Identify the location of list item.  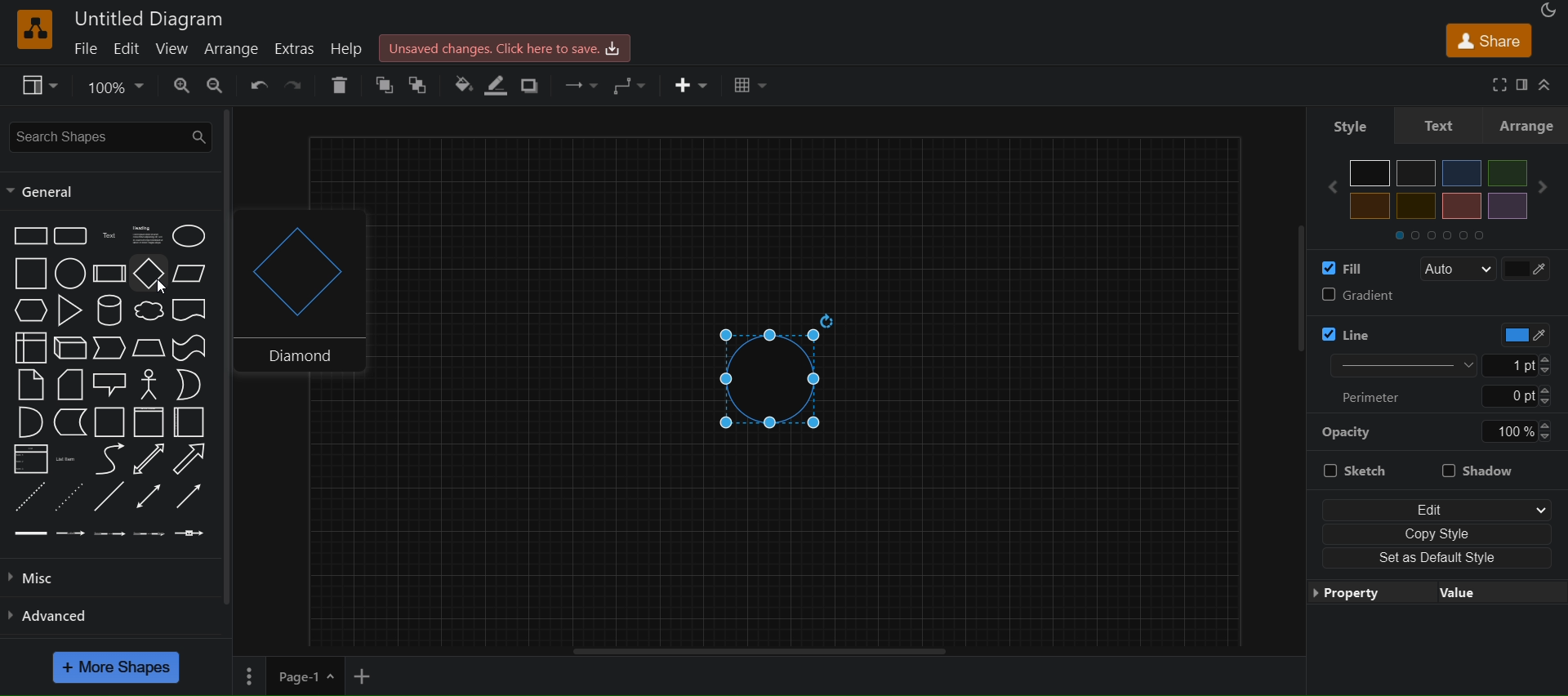
(69, 459).